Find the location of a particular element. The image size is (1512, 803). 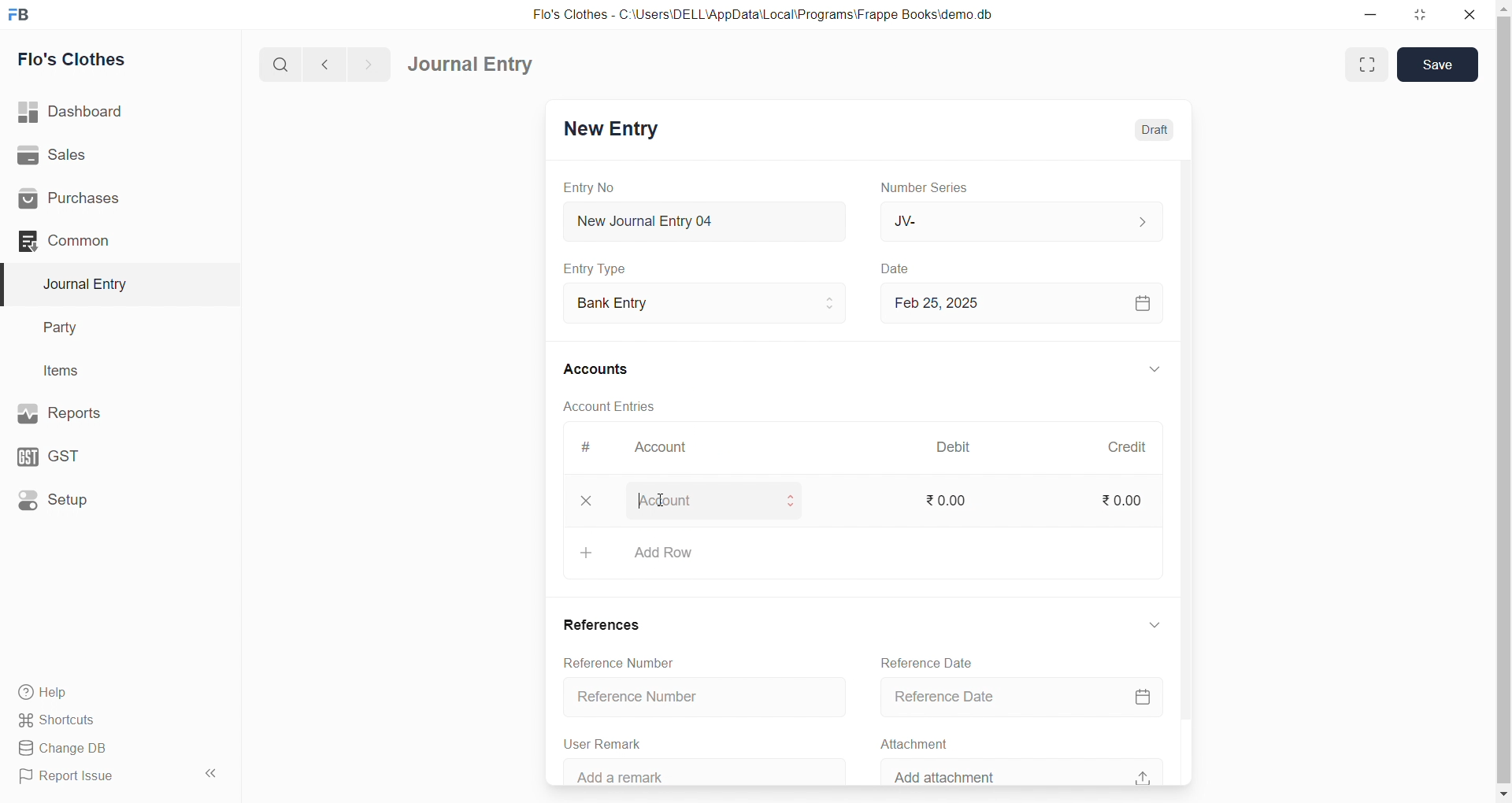

Collapse sidebar is located at coordinates (213, 776).